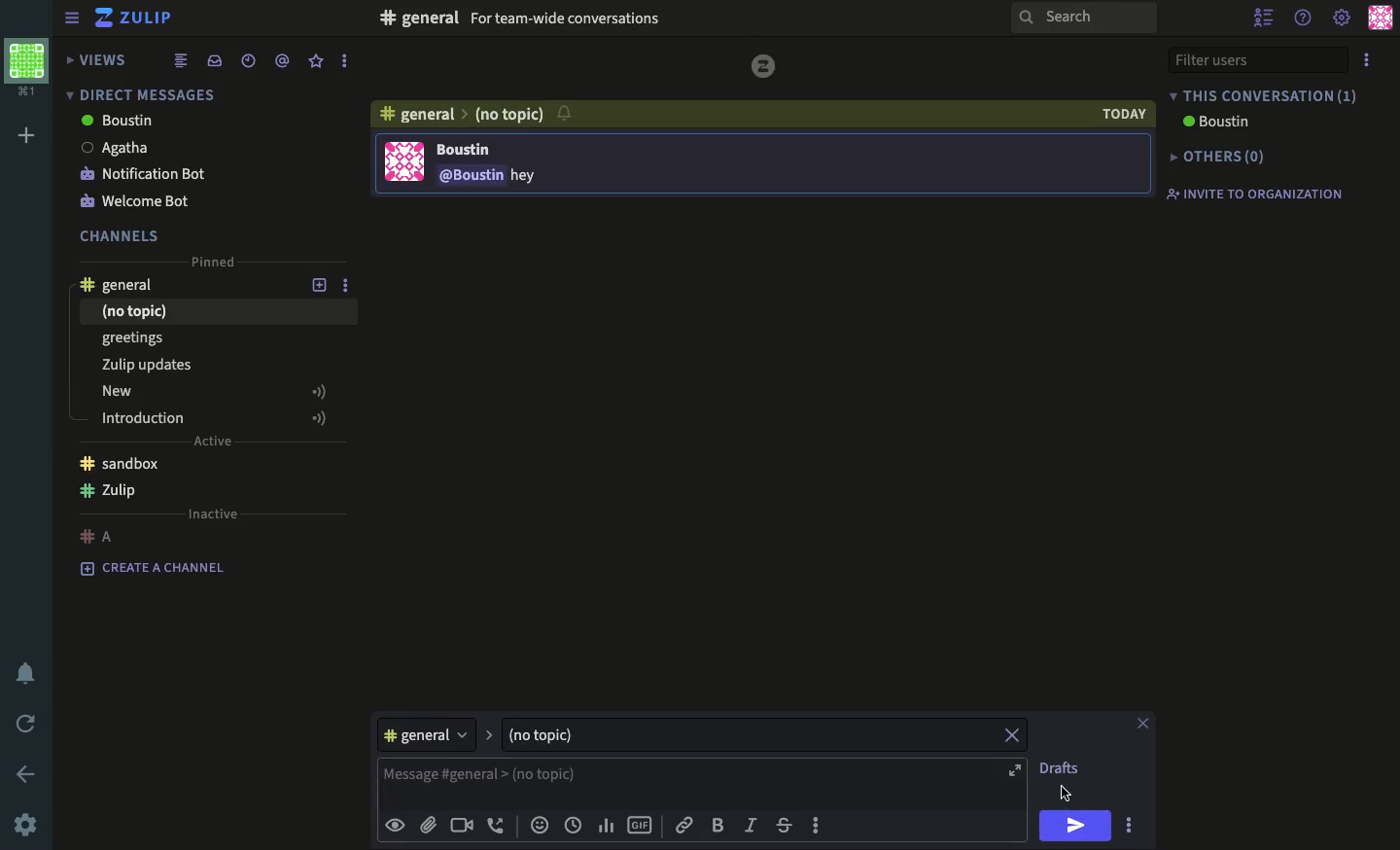 The width and height of the screenshot is (1400, 850). I want to click on filter users, so click(1256, 60).